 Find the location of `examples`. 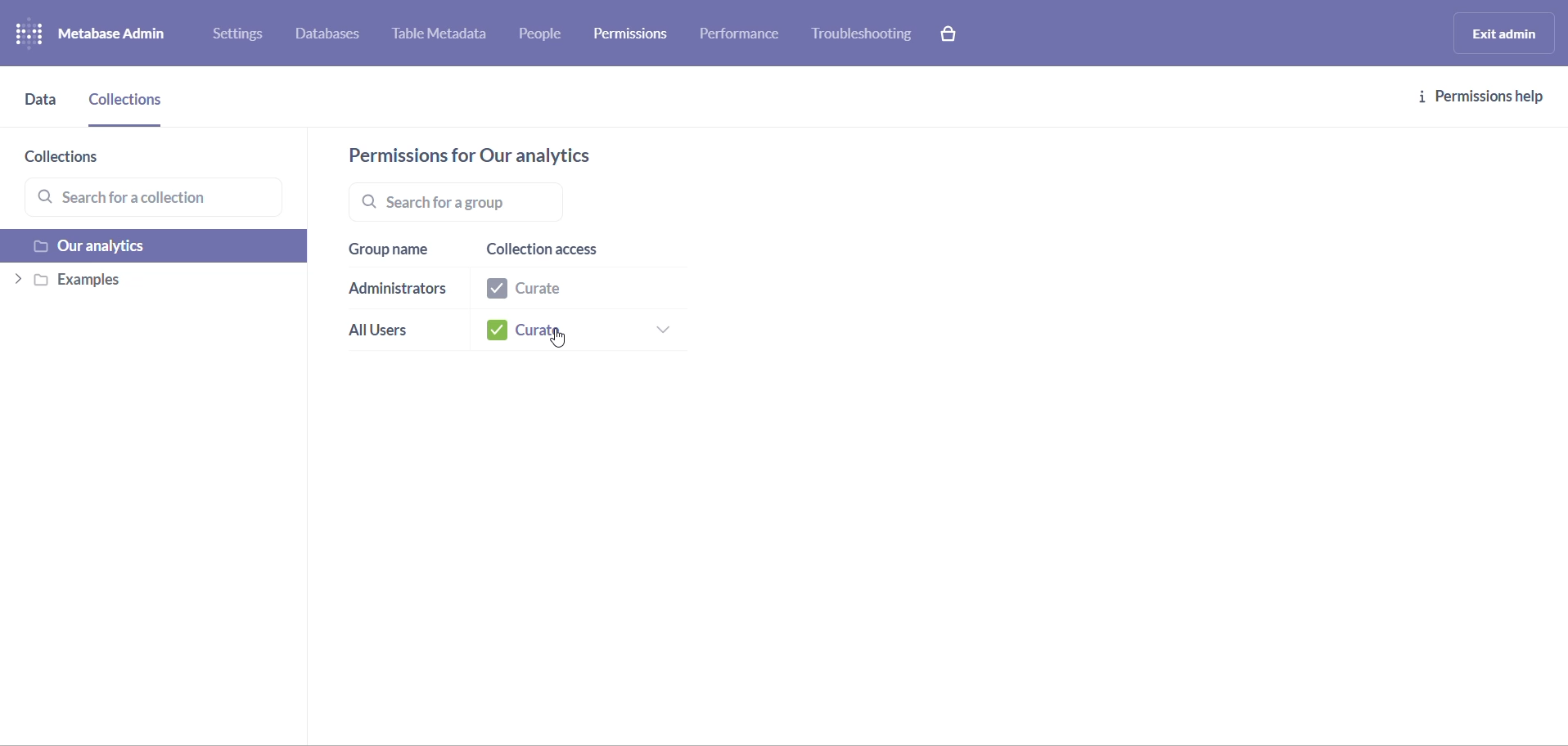

examples is located at coordinates (150, 283).